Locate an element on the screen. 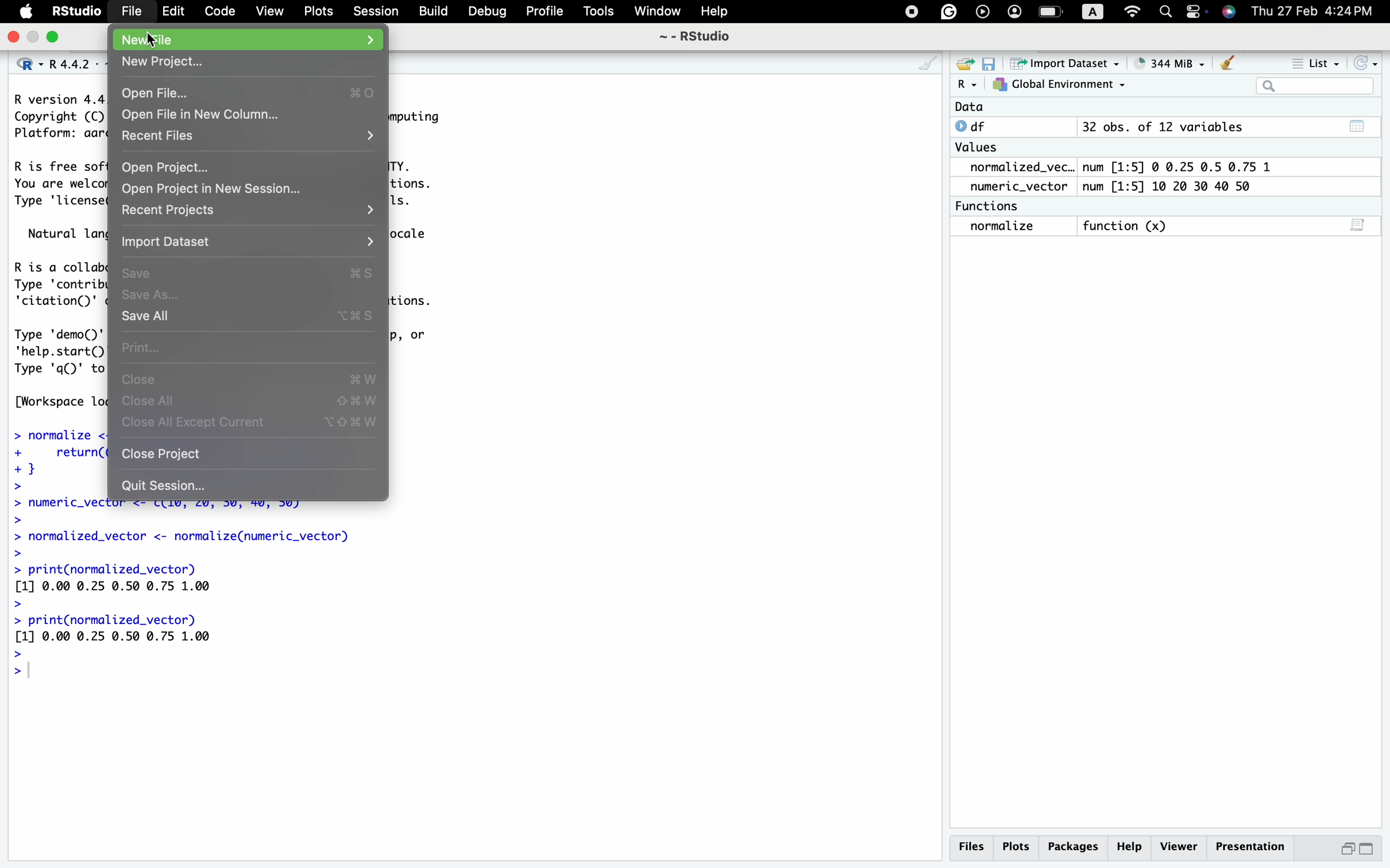  List is located at coordinates (1315, 63).